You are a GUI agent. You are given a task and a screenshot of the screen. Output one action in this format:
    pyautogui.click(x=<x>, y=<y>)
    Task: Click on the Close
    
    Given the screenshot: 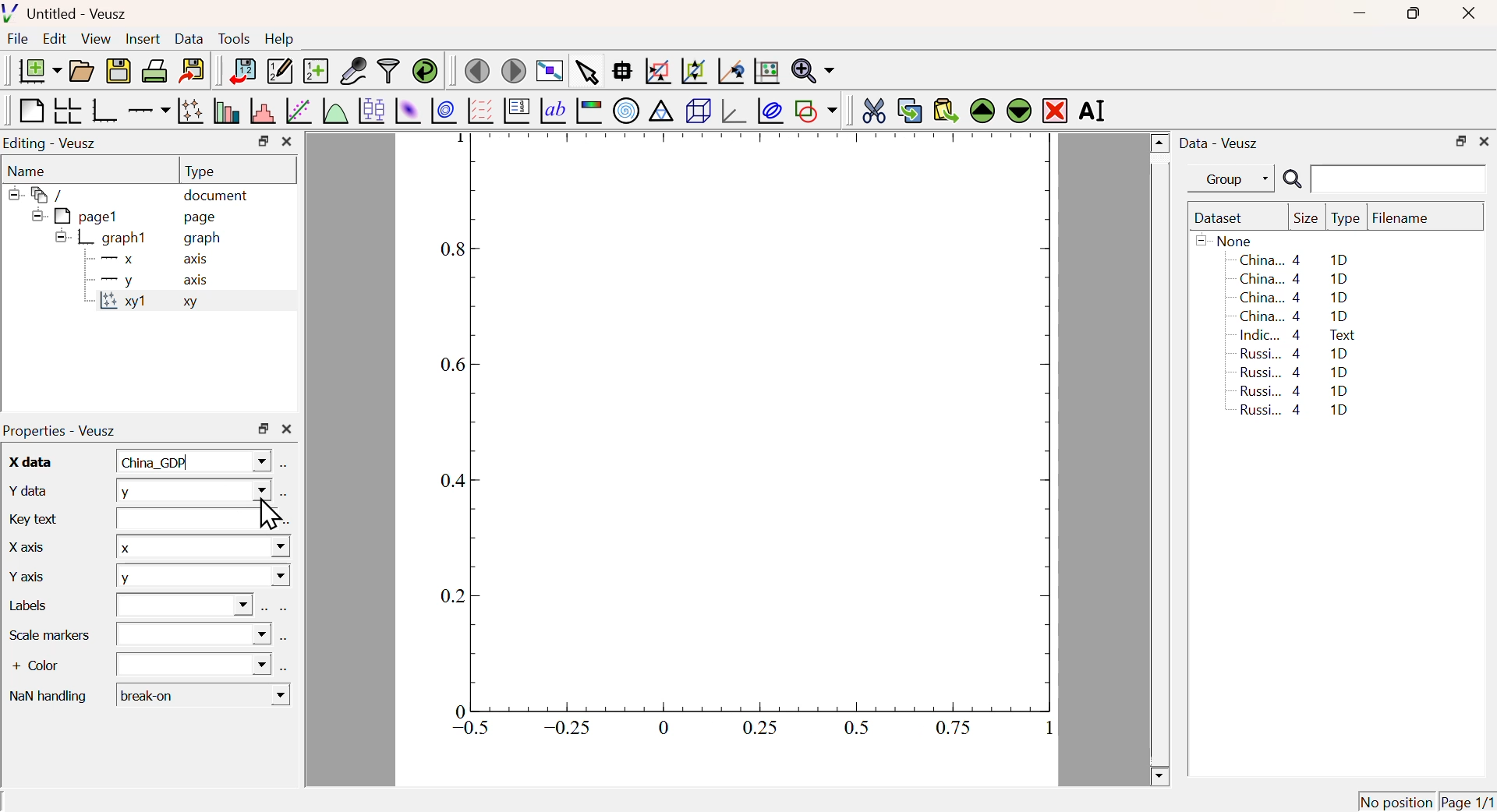 What is the action you would take?
    pyautogui.click(x=1466, y=15)
    